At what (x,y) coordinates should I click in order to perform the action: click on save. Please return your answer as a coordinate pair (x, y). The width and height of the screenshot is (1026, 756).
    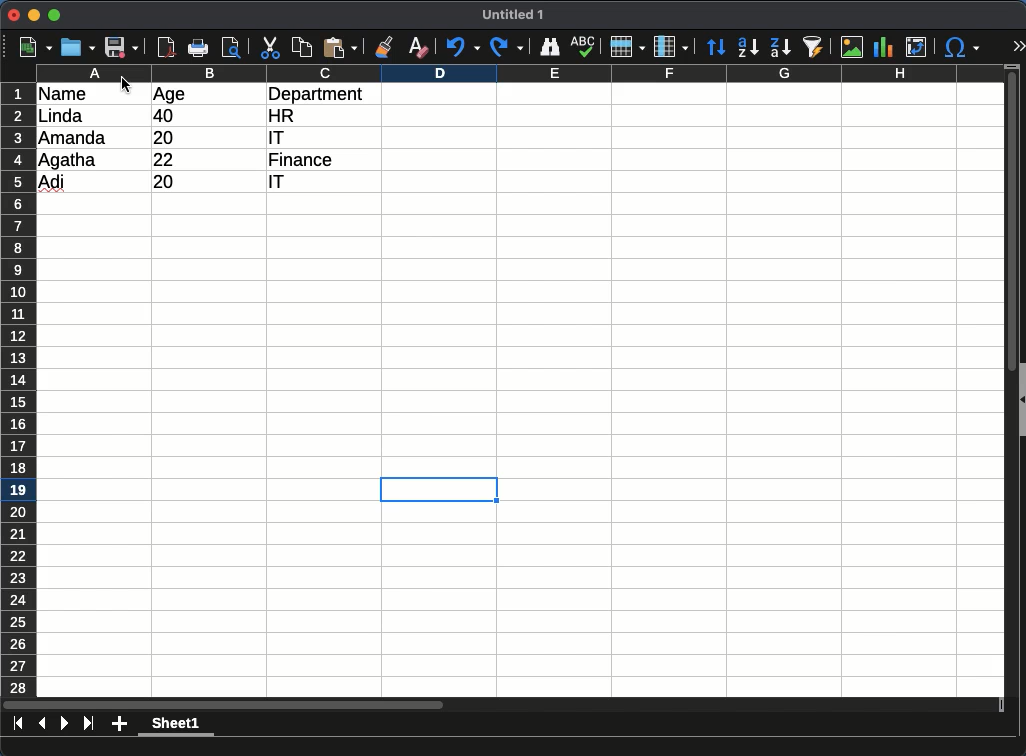
    Looking at the image, I should click on (122, 47).